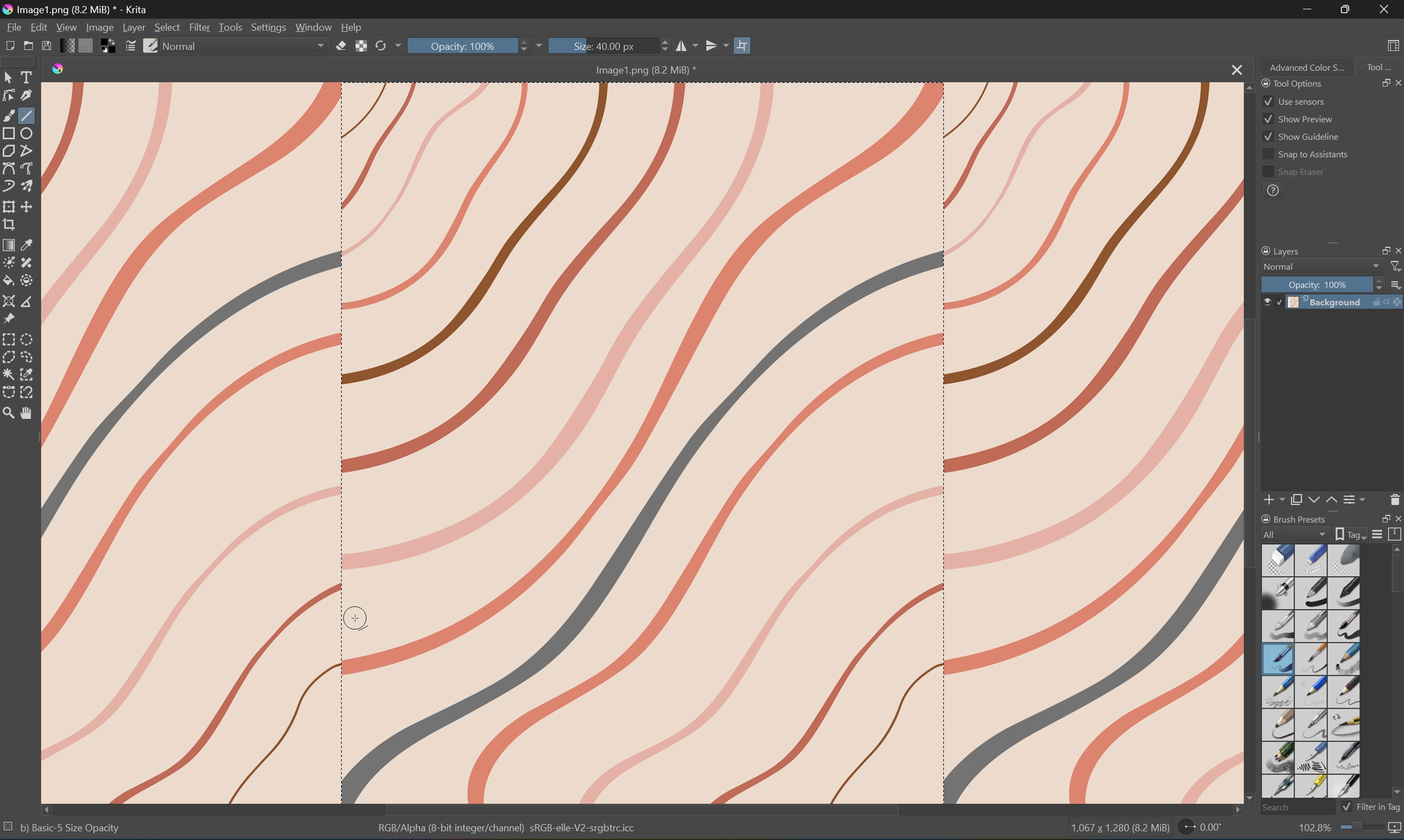 The height and width of the screenshot is (840, 1404). What do you see at coordinates (25, 263) in the screenshot?
I see `Draw patch tool` at bounding box center [25, 263].